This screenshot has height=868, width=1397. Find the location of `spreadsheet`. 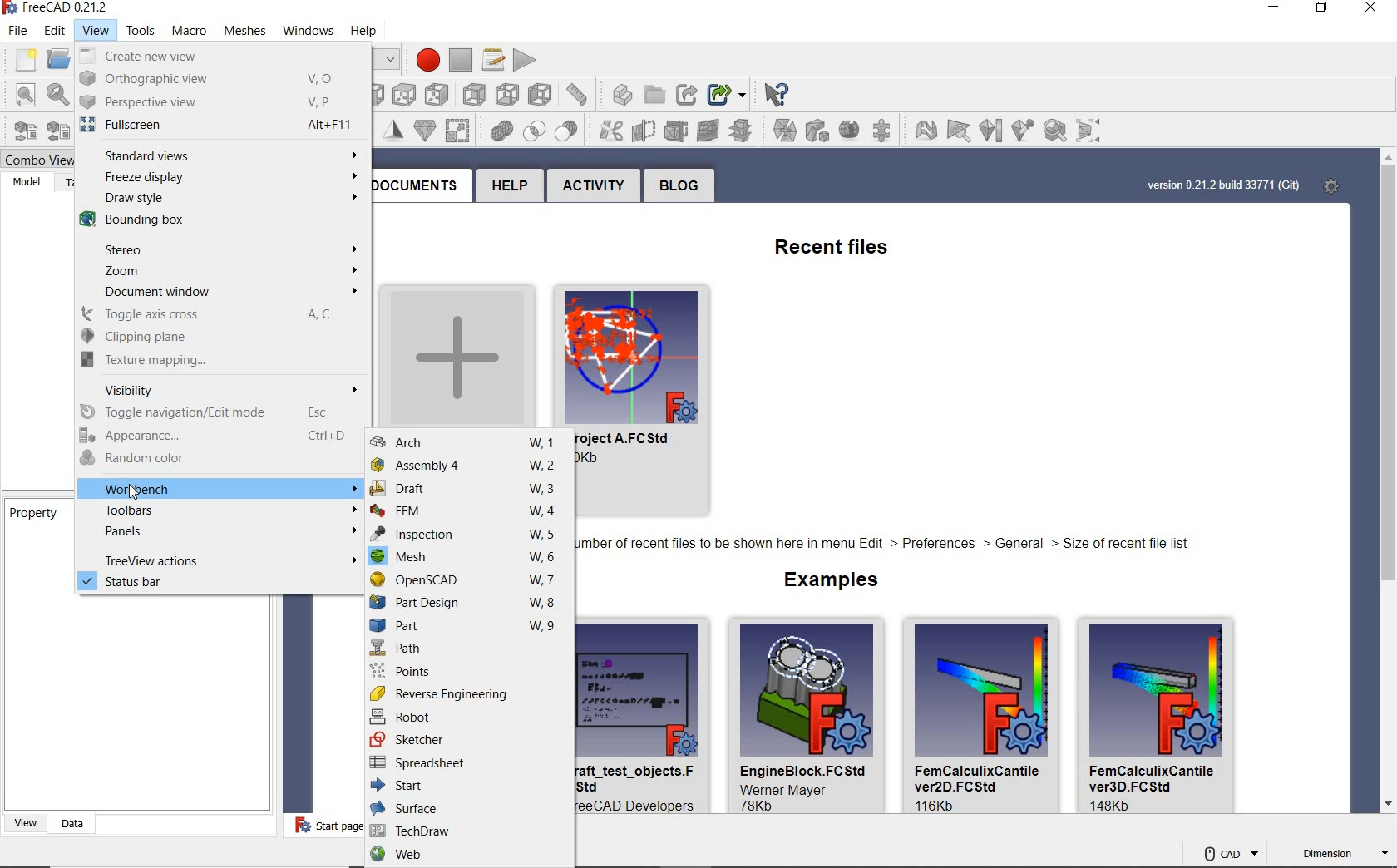

spreadsheet is located at coordinates (470, 764).